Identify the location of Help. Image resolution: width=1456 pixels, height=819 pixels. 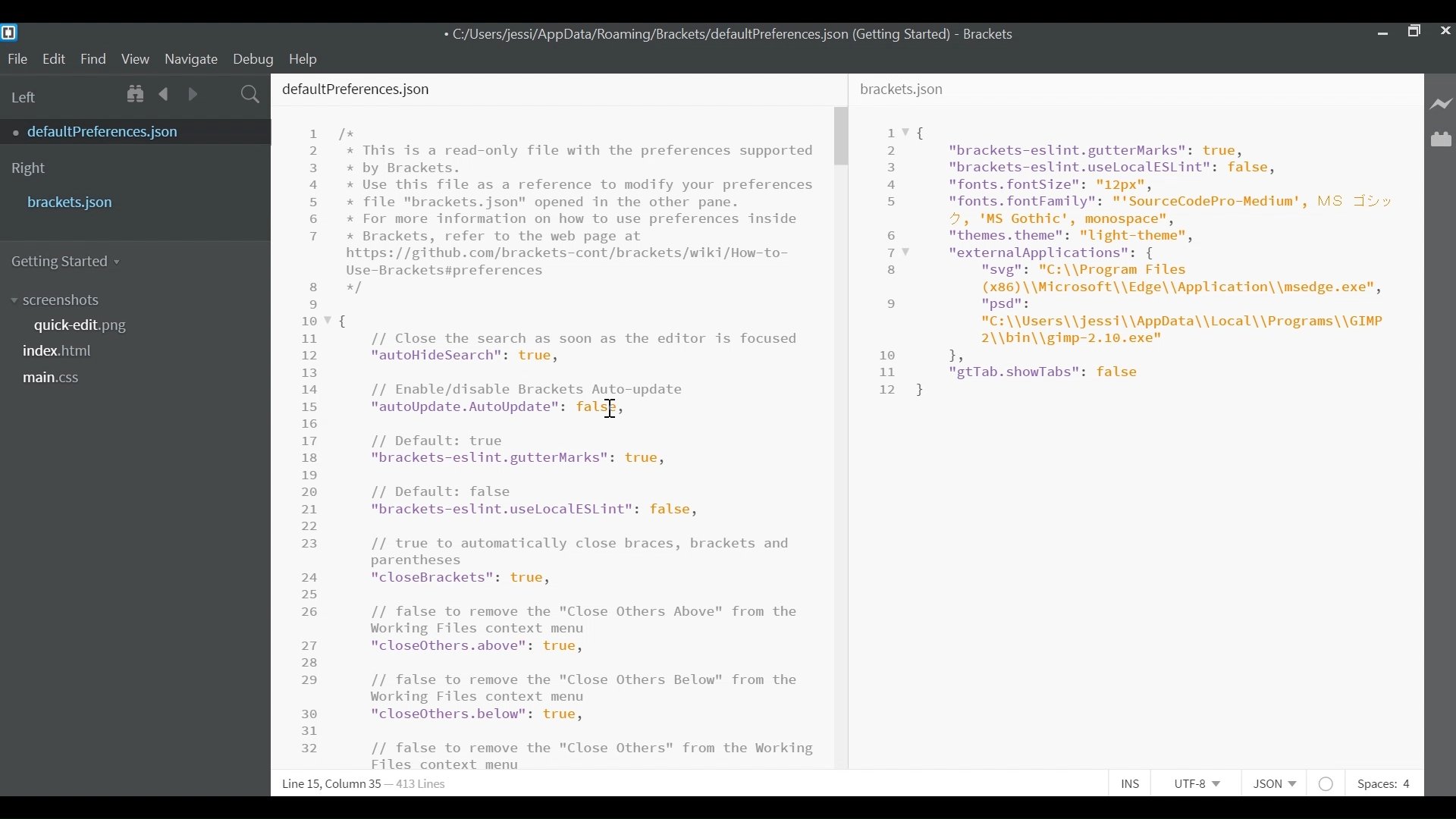
(311, 58).